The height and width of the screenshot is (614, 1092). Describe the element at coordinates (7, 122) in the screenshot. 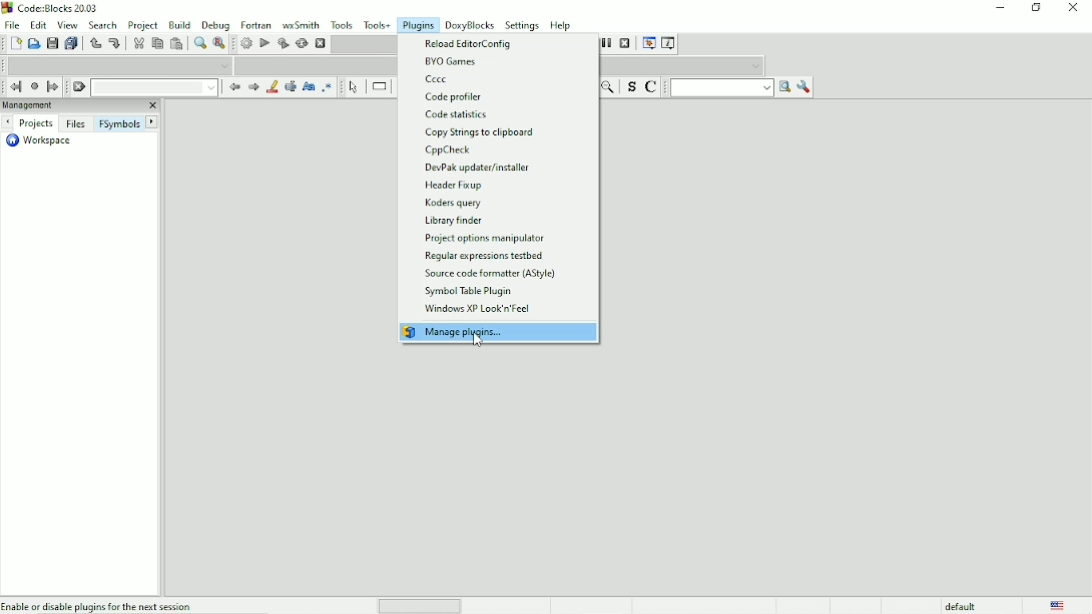

I see `Next` at that location.